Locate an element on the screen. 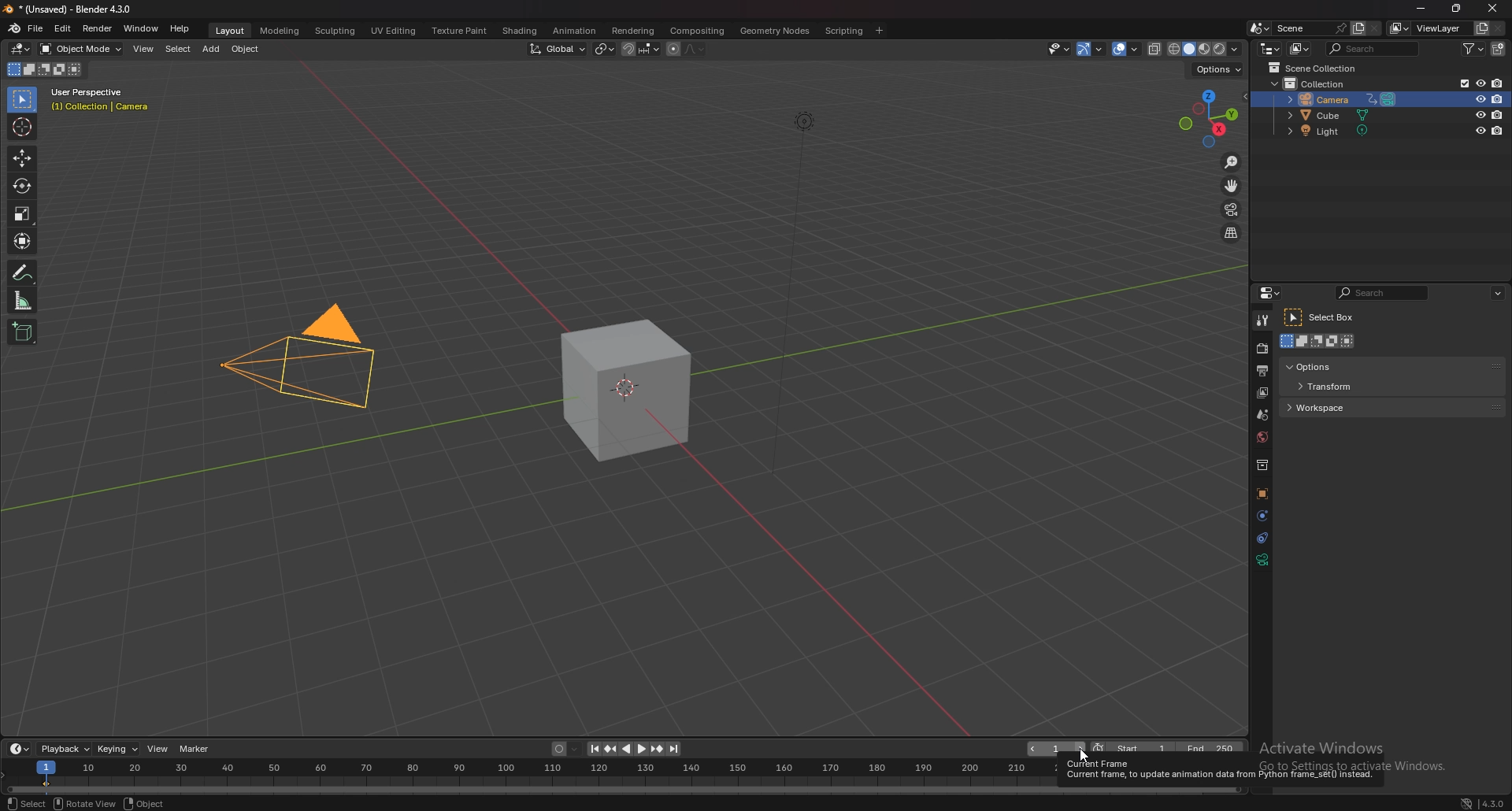 This screenshot has width=1512, height=811. options is located at coordinates (1328, 366).